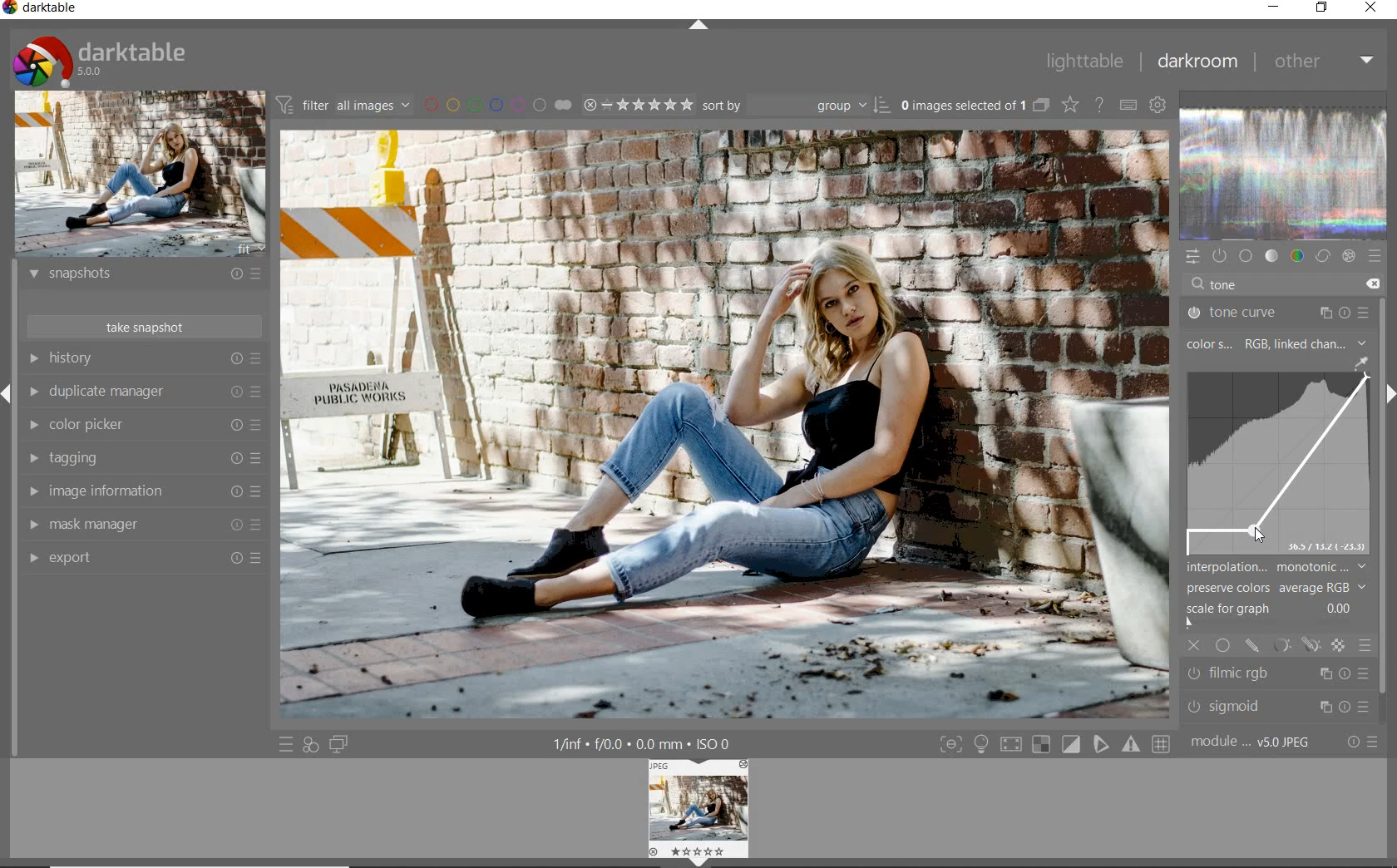 This screenshot has height=868, width=1397. What do you see at coordinates (1278, 464) in the screenshot?
I see `tone curve map` at bounding box center [1278, 464].